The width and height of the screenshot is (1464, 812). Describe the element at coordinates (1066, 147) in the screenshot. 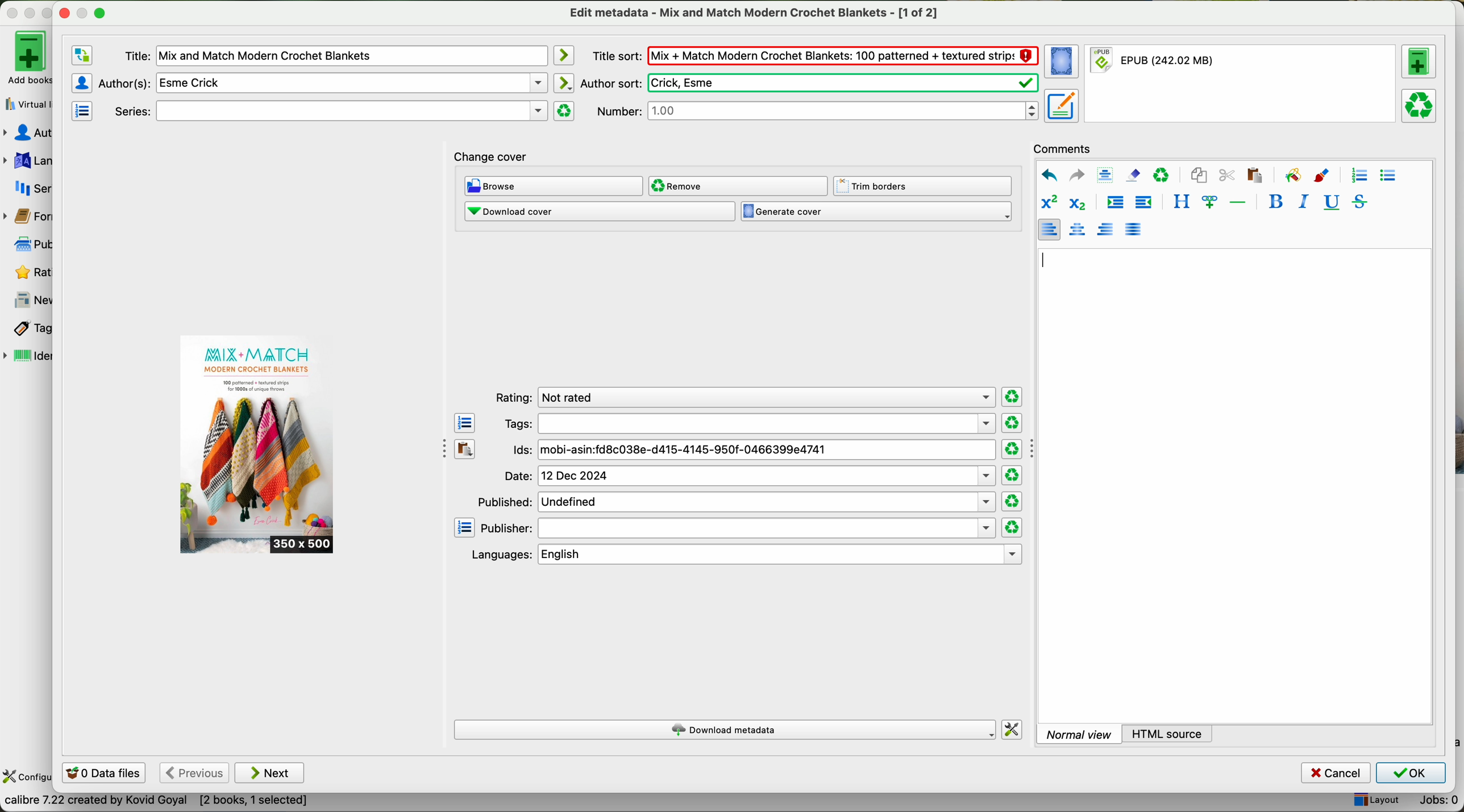

I see `comments` at that location.